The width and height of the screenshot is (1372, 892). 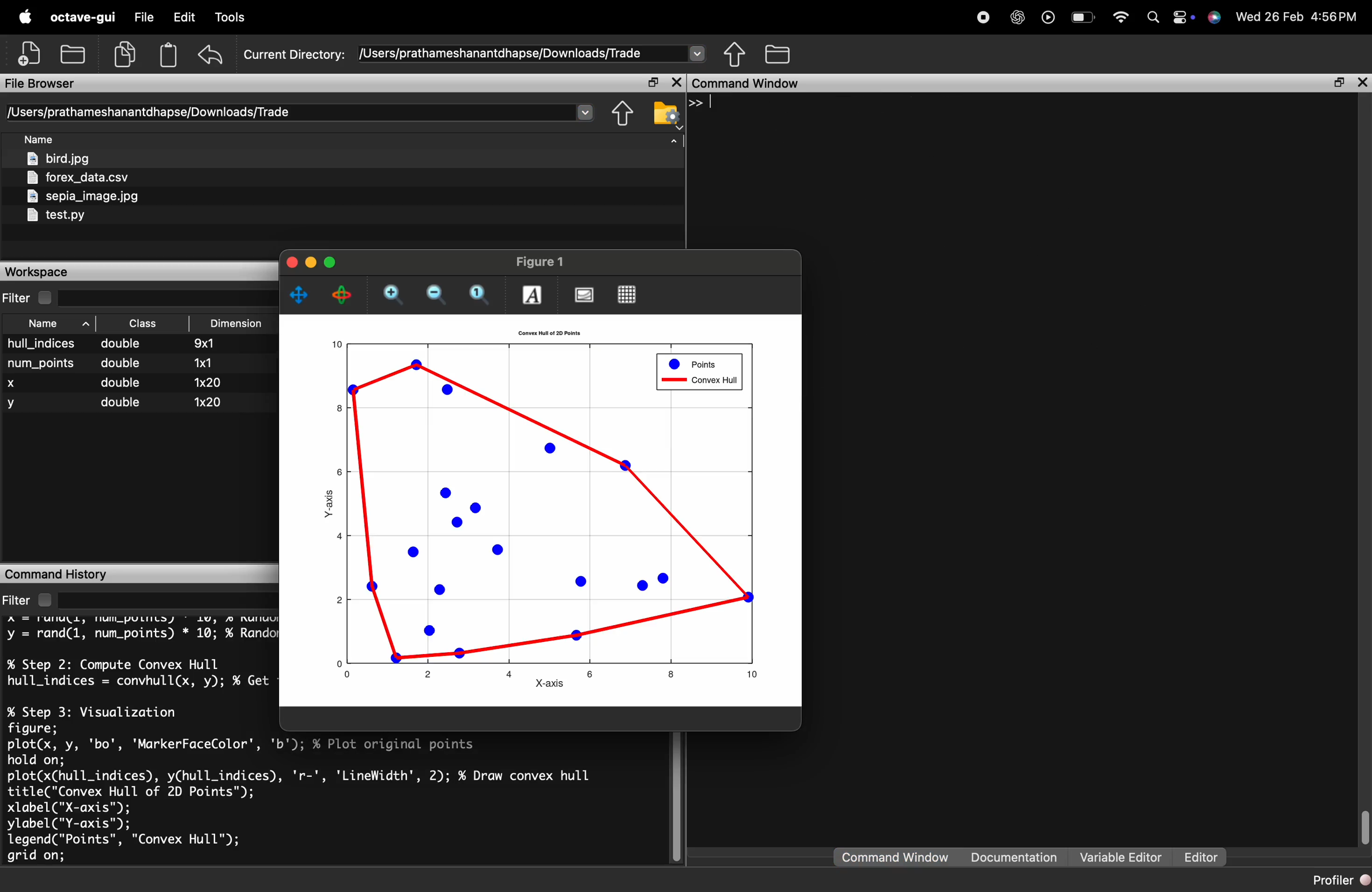 What do you see at coordinates (1201, 857) in the screenshot?
I see `Editor` at bounding box center [1201, 857].